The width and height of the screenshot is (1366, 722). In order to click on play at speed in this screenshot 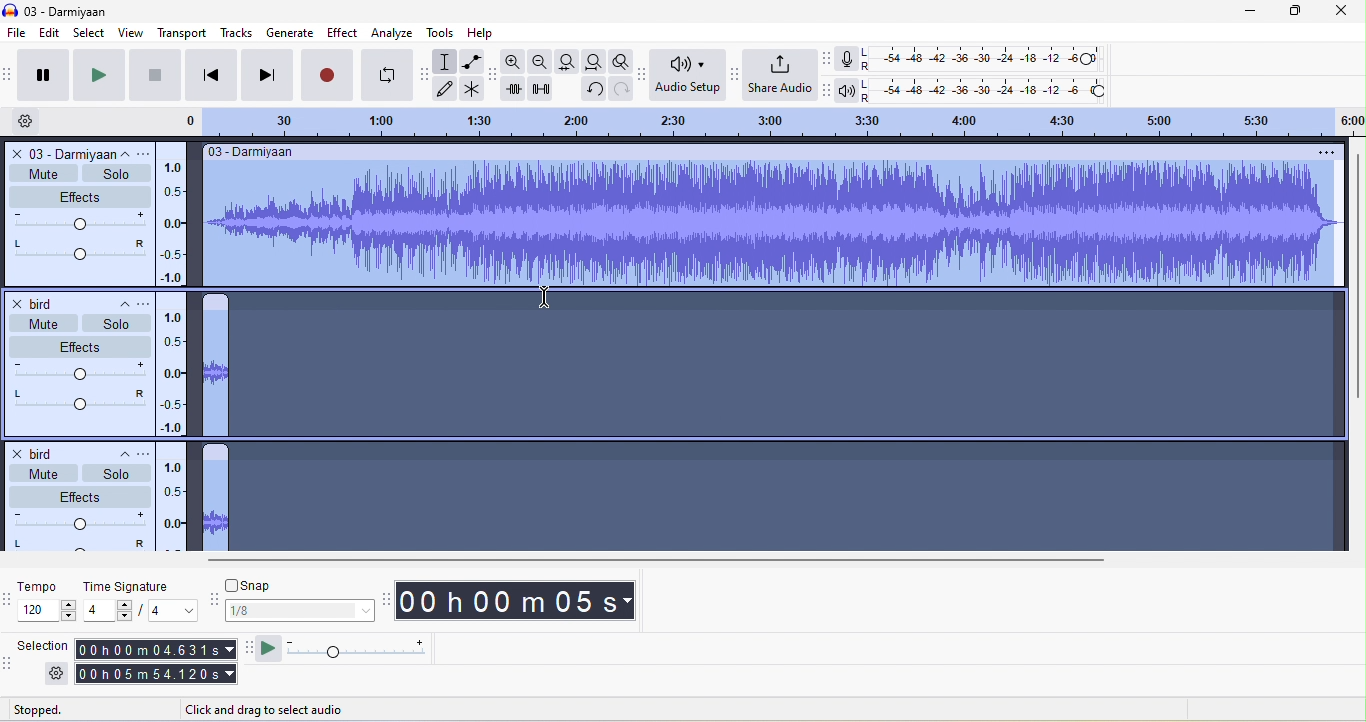, I will do `click(365, 649)`.